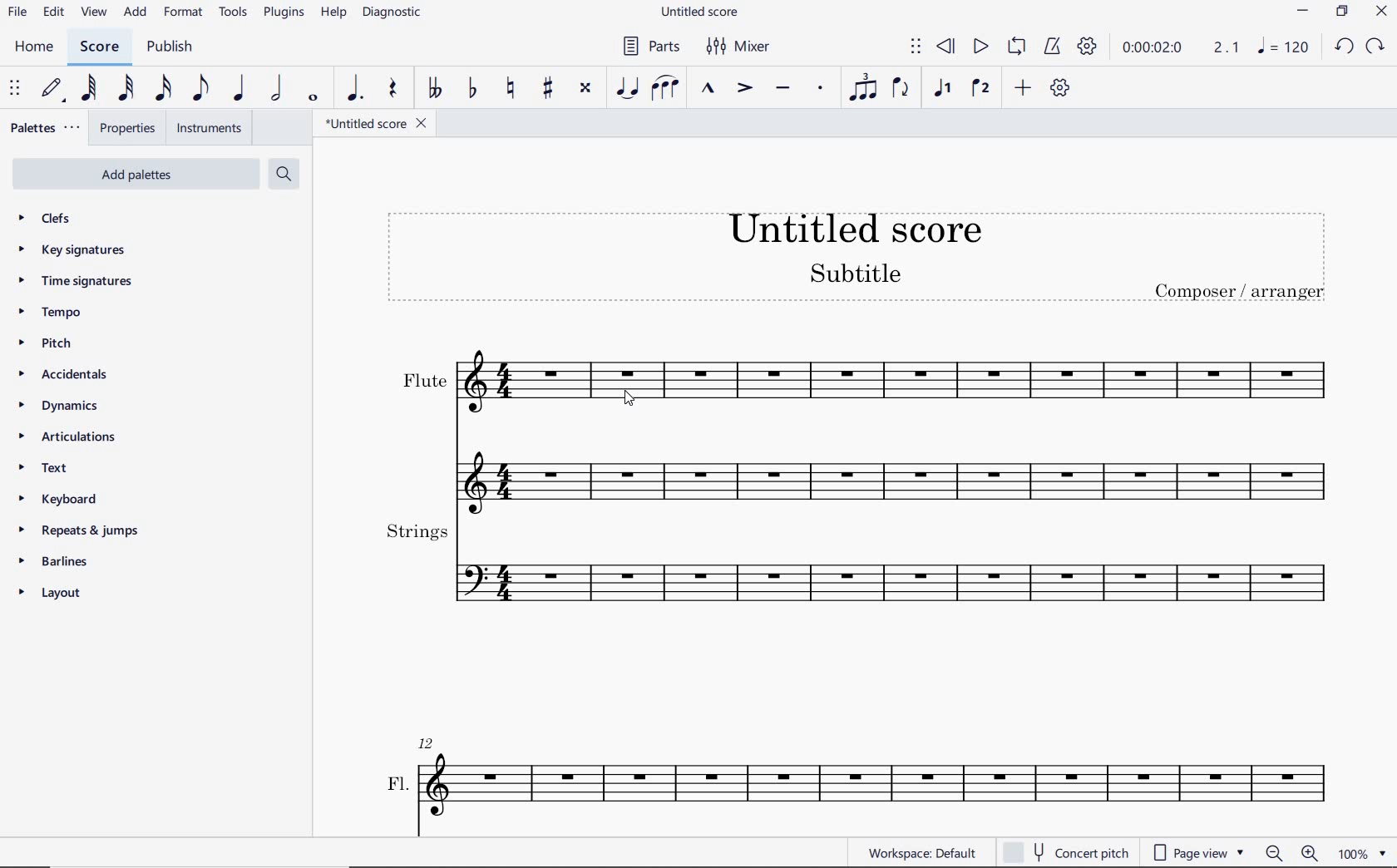  What do you see at coordinates (16, 89) in the screenshot?
I see `SELECT TO MOVE` at bounding box center [16, 89].